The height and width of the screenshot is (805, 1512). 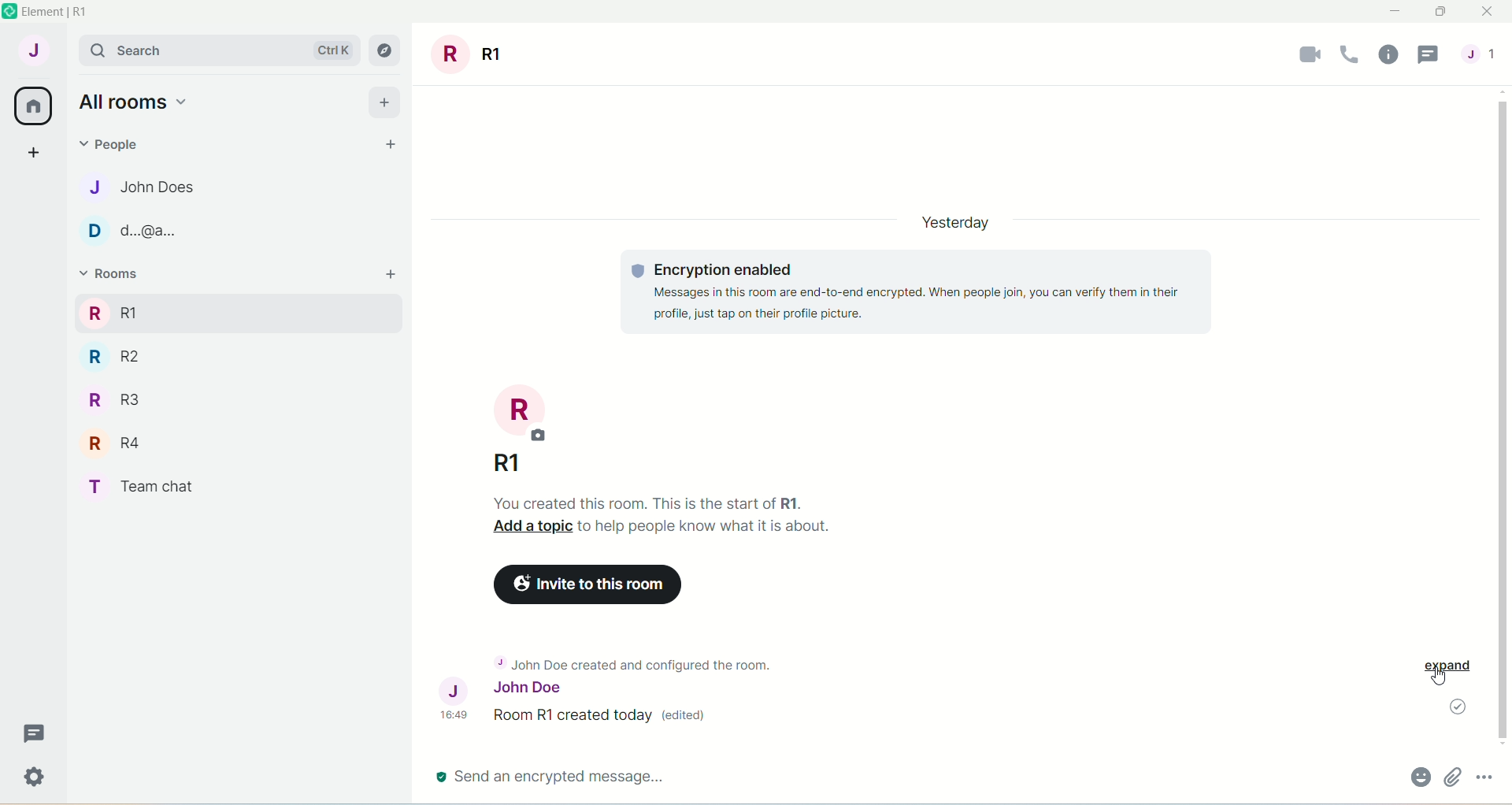 What do you see at coordinates (232, 312) in the screenshot?
I see `R1` at bounding box center [232, 312].